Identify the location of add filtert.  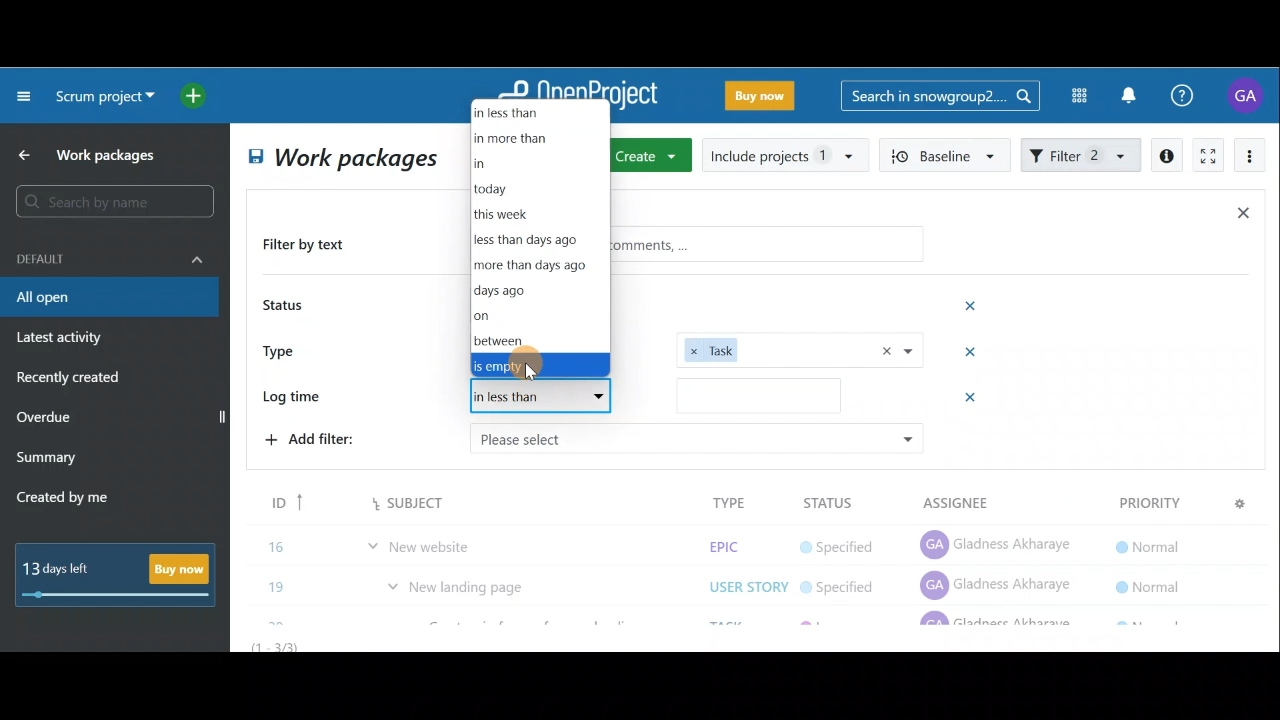
(330, 437).